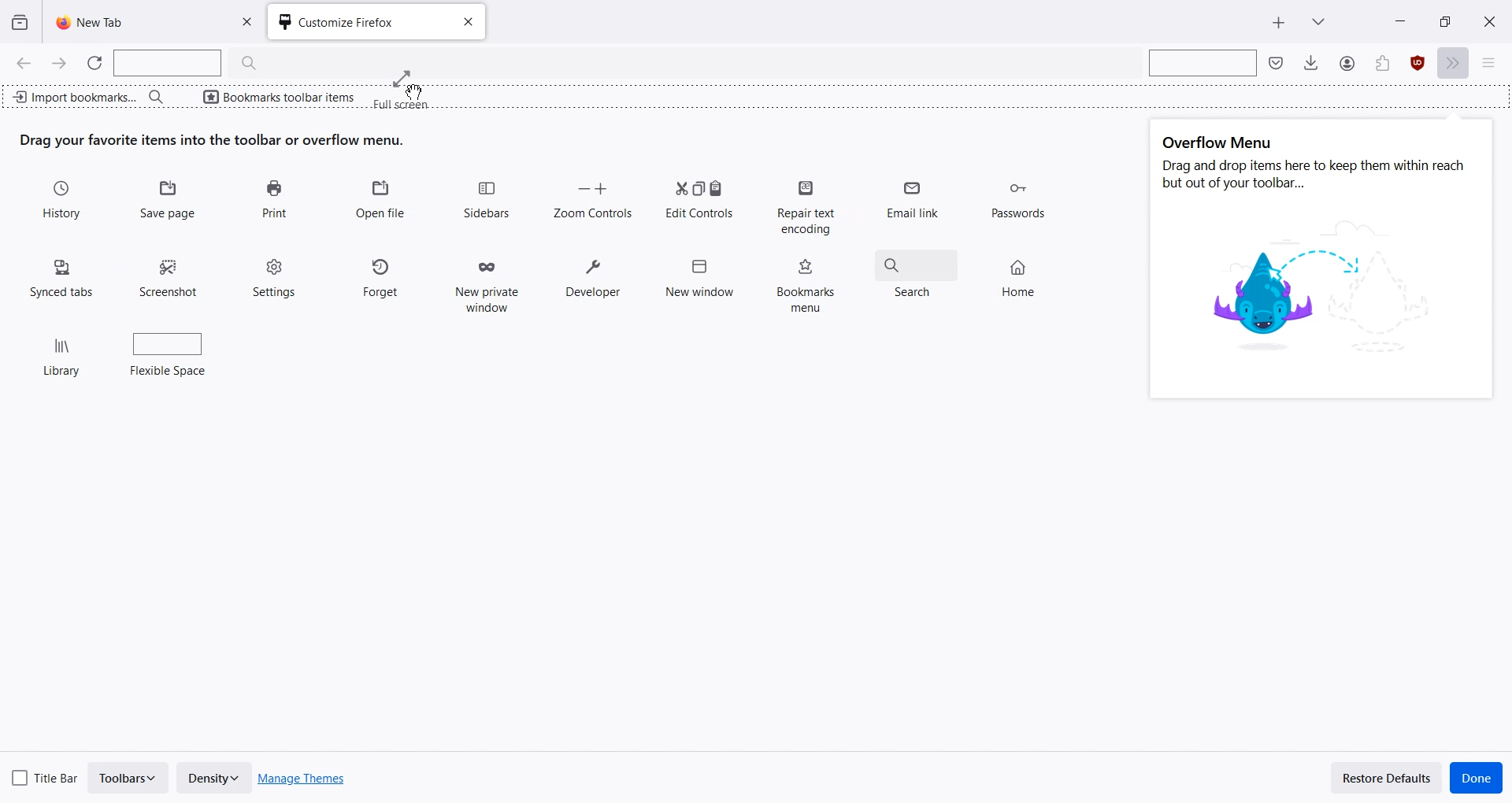  Describe the element at coordinates (1444, 20) in the screenshot. I see `Maximize` at that location.